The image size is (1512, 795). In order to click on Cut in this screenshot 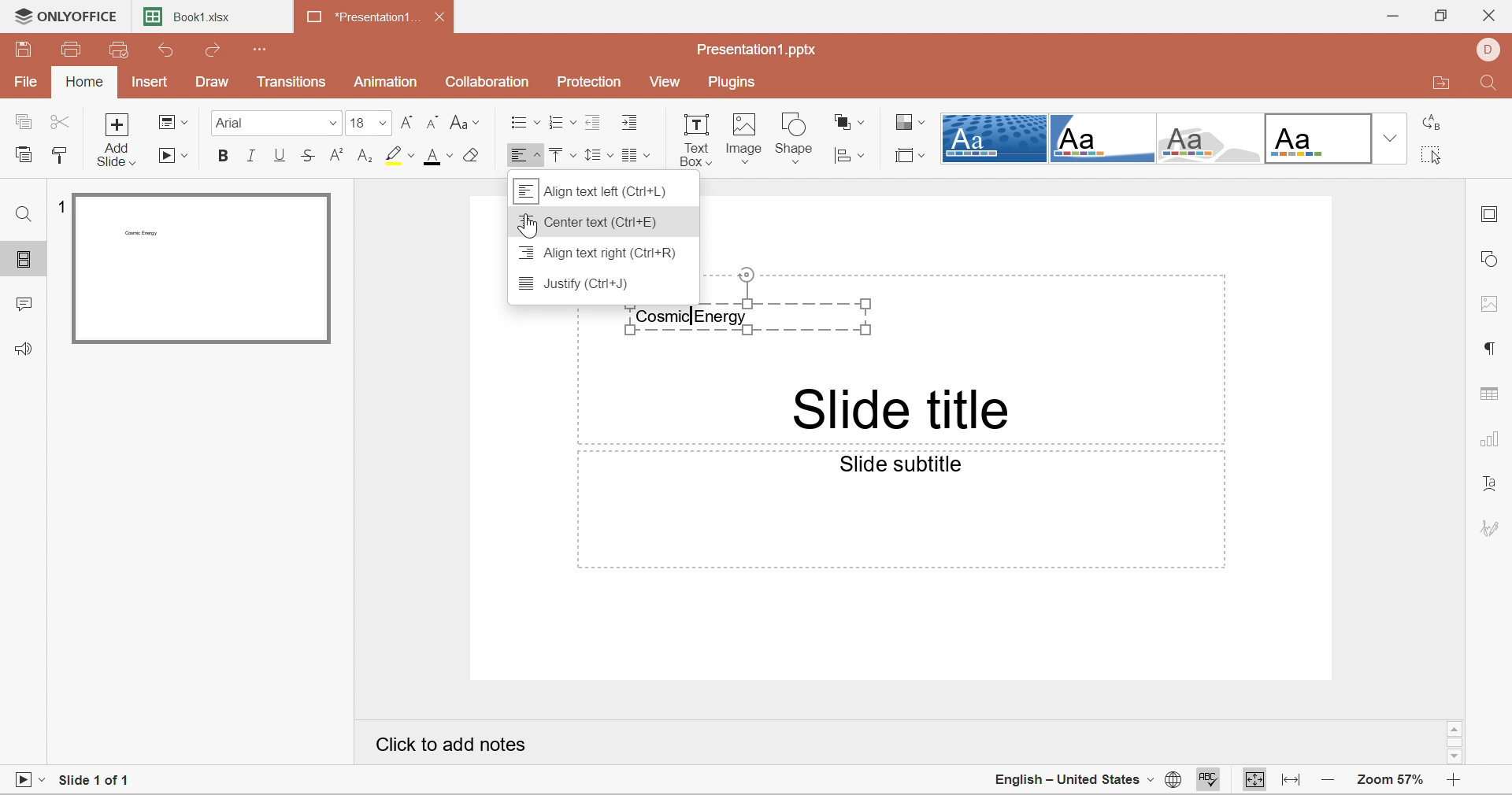, I will do `click(60, 123)`.